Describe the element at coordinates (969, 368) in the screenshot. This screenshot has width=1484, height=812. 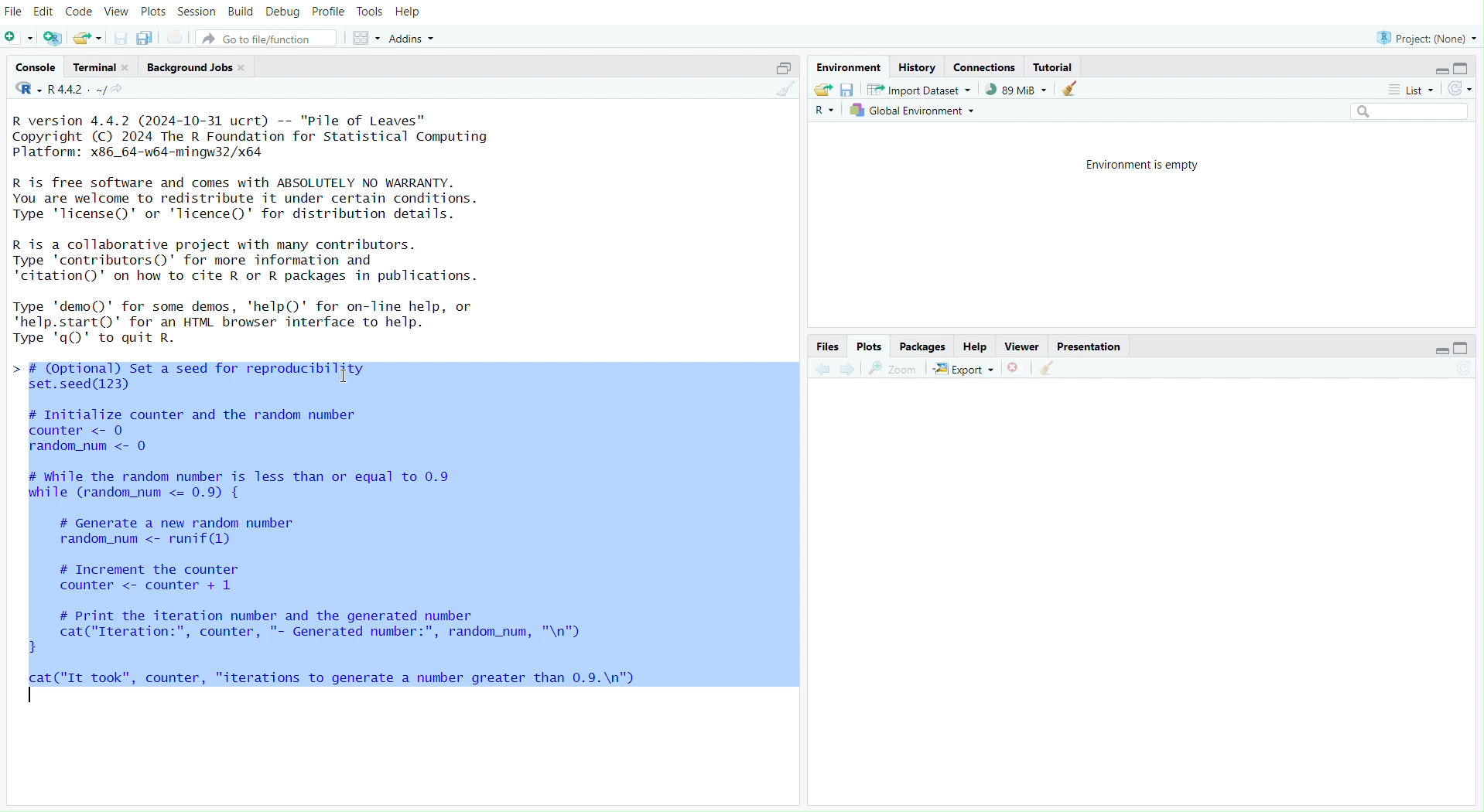
I see `Export` at that location.